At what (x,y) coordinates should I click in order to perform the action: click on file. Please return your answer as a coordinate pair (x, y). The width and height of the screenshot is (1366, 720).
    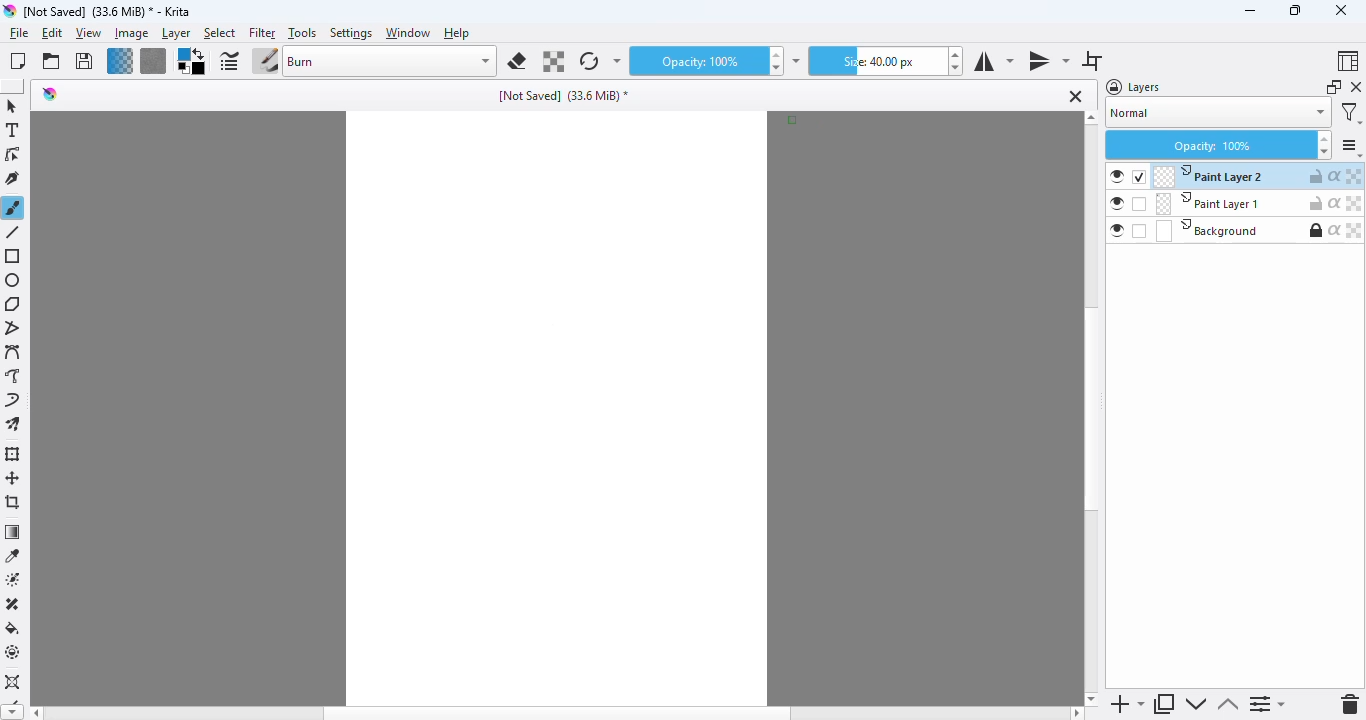
    Looking at the image, I should click on (19, 33).